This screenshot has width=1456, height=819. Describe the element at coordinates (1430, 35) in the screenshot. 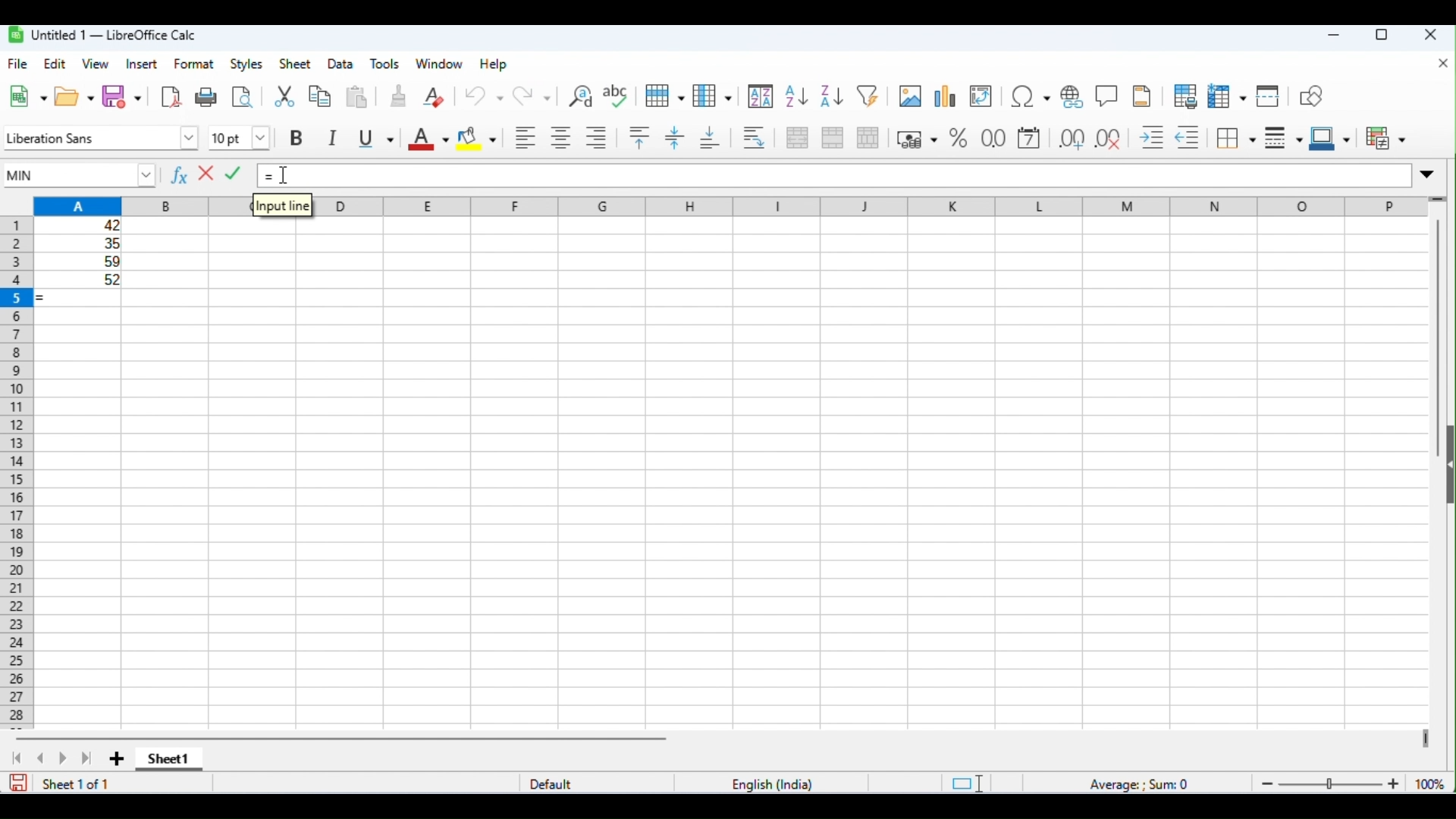

I see `close` at that location.